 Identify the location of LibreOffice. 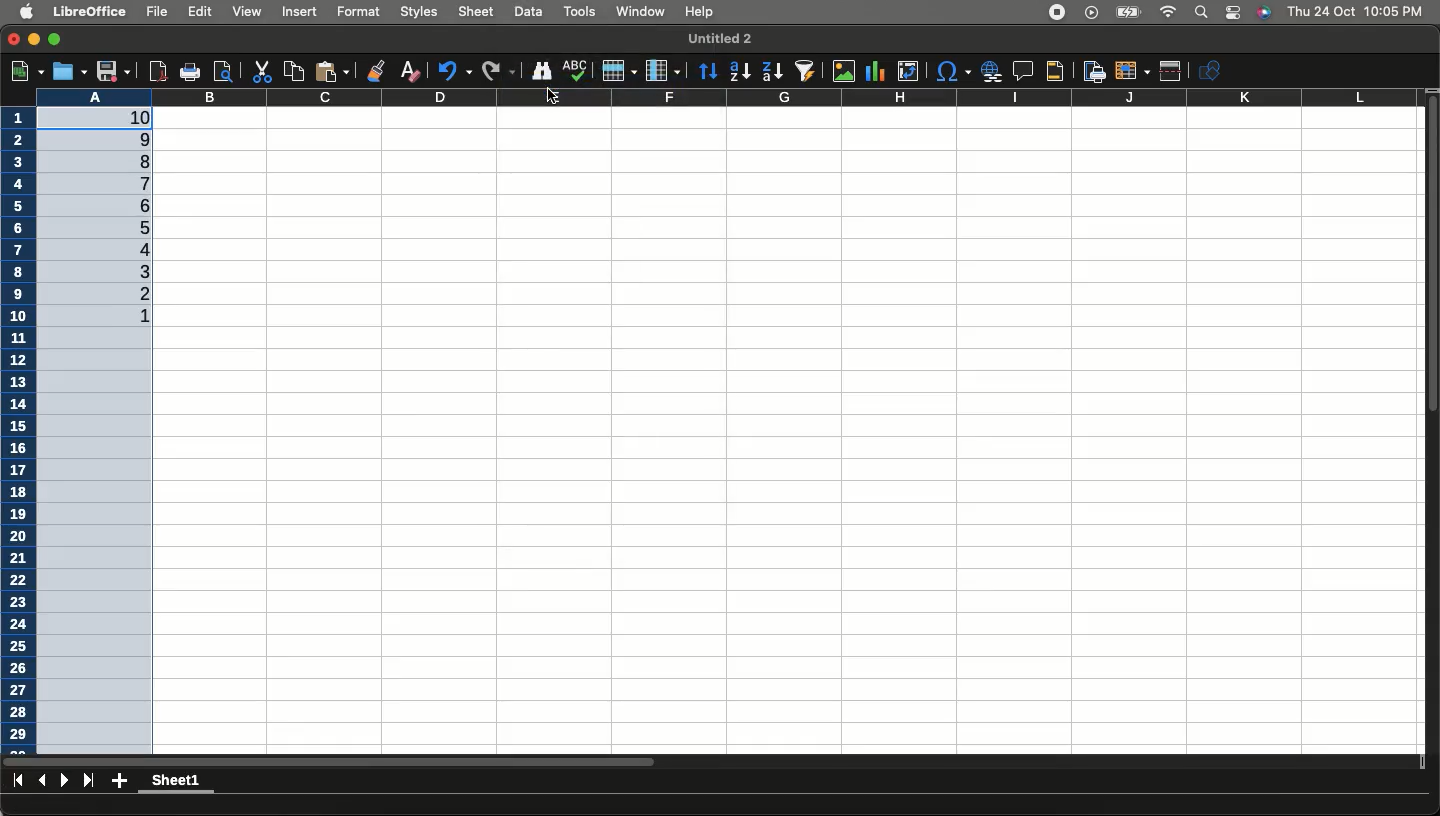
(92, 12).